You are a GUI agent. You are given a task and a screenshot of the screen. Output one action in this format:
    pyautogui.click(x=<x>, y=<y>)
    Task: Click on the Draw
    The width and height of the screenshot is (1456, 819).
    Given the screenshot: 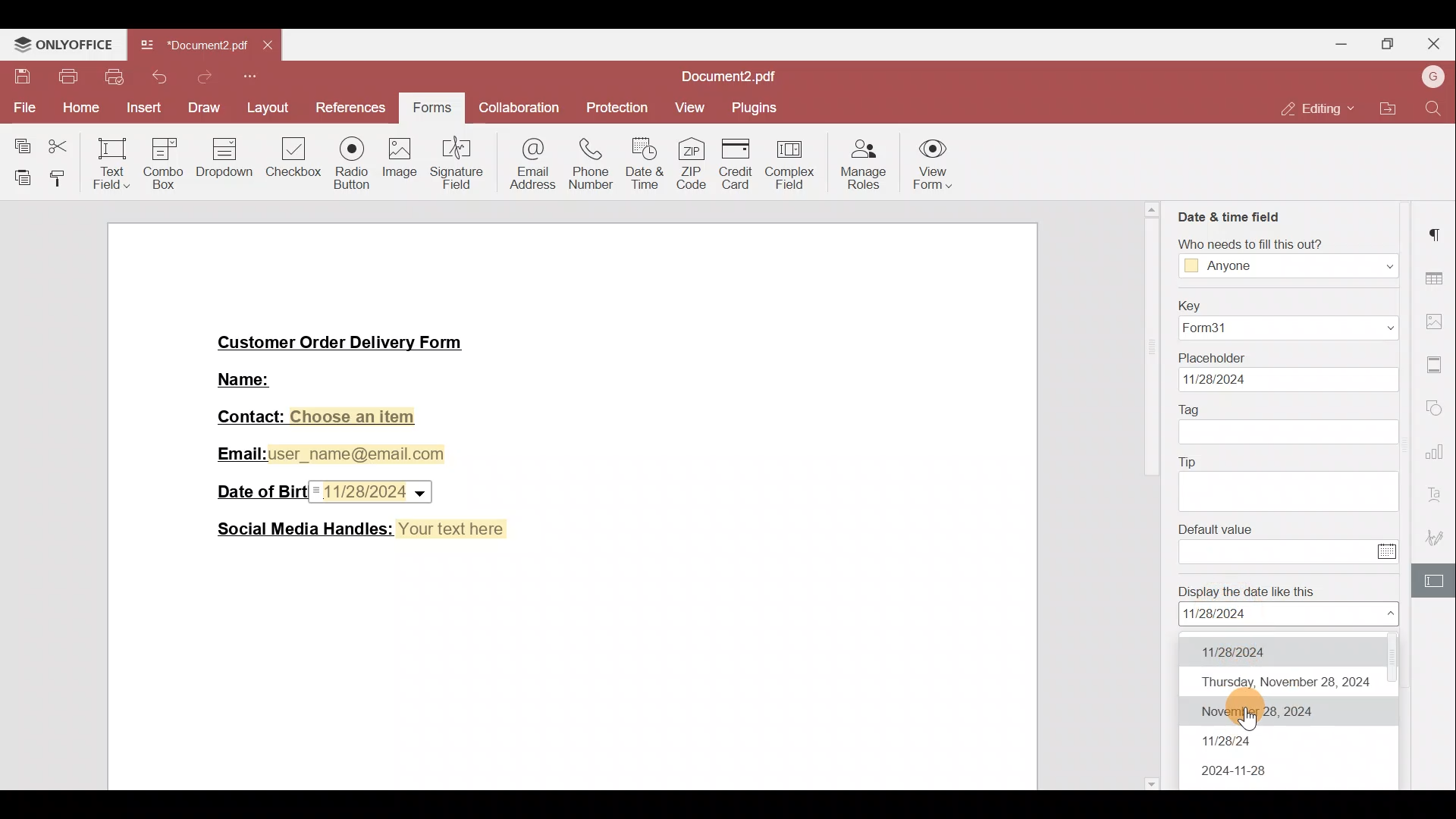 What is the action you would take?
    pyautogui.click(x=202, y=107)
    